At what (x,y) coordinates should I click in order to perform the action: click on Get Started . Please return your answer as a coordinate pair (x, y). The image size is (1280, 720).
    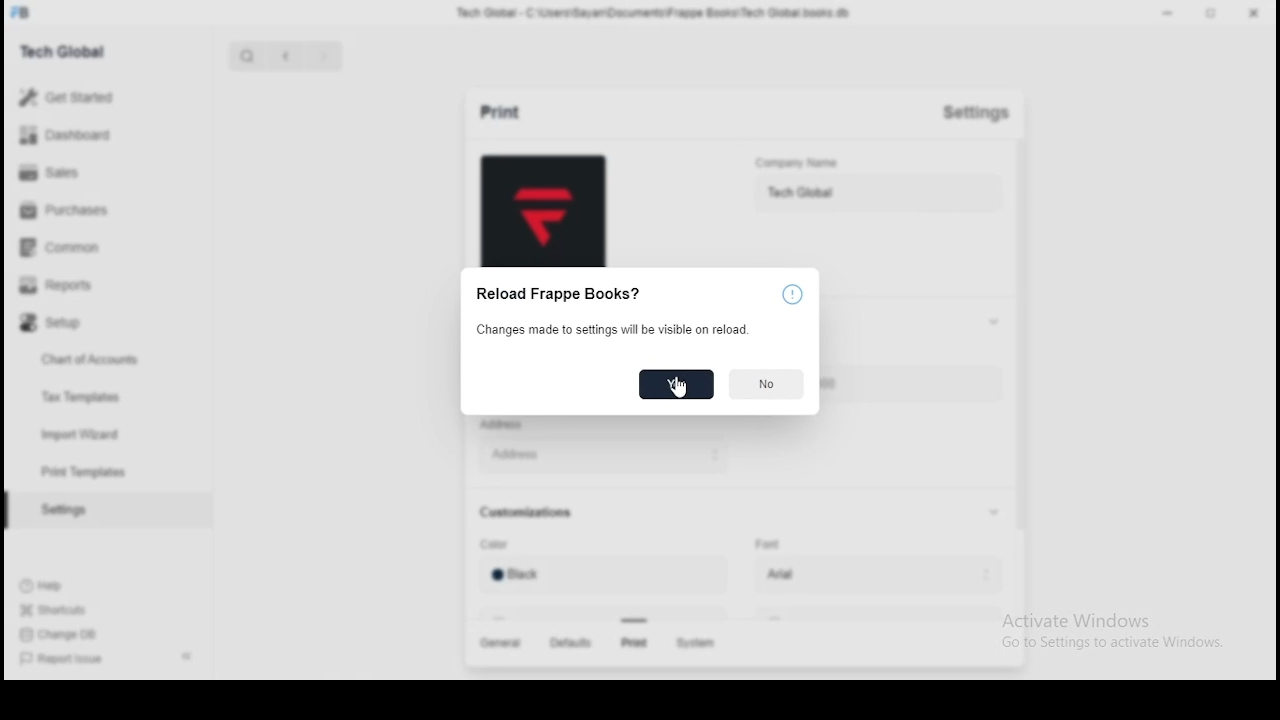
    Looking at the image, I should click on (91, 97).